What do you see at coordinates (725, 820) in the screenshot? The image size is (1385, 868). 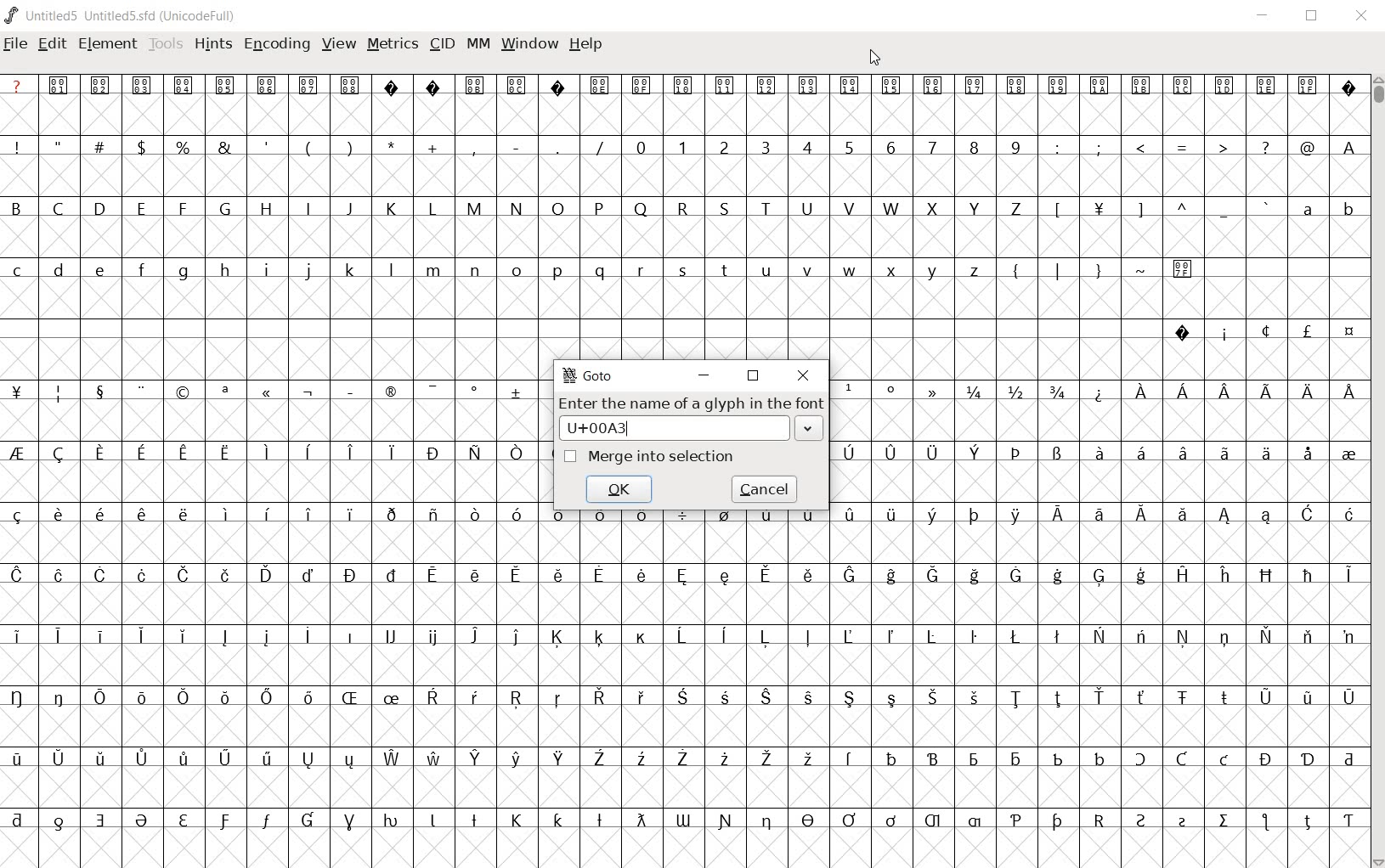 I see `Symbol` at bounding box center [725, 820].